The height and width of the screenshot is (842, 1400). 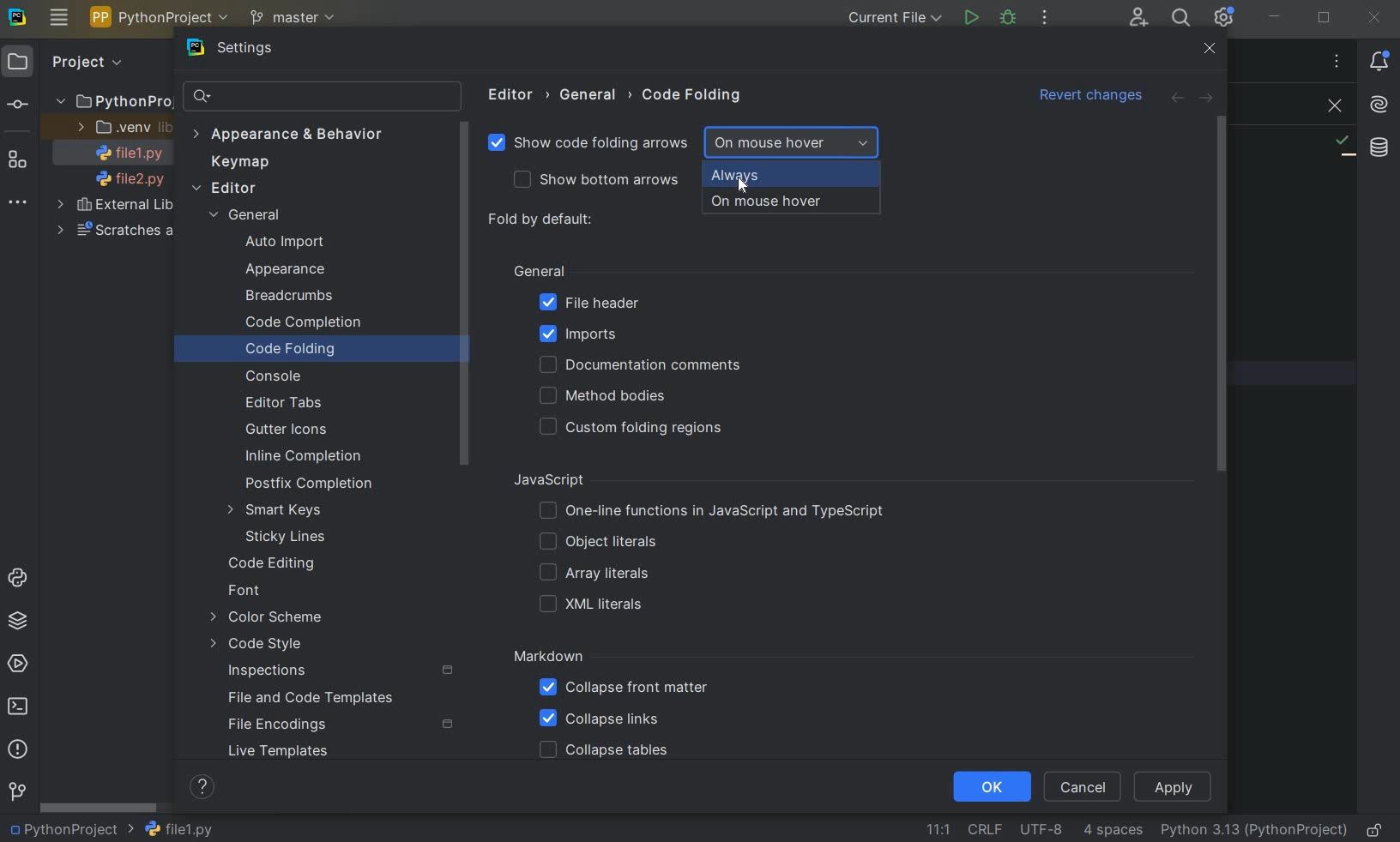 I want to click on PythonProject, so click(x=113, y=102).